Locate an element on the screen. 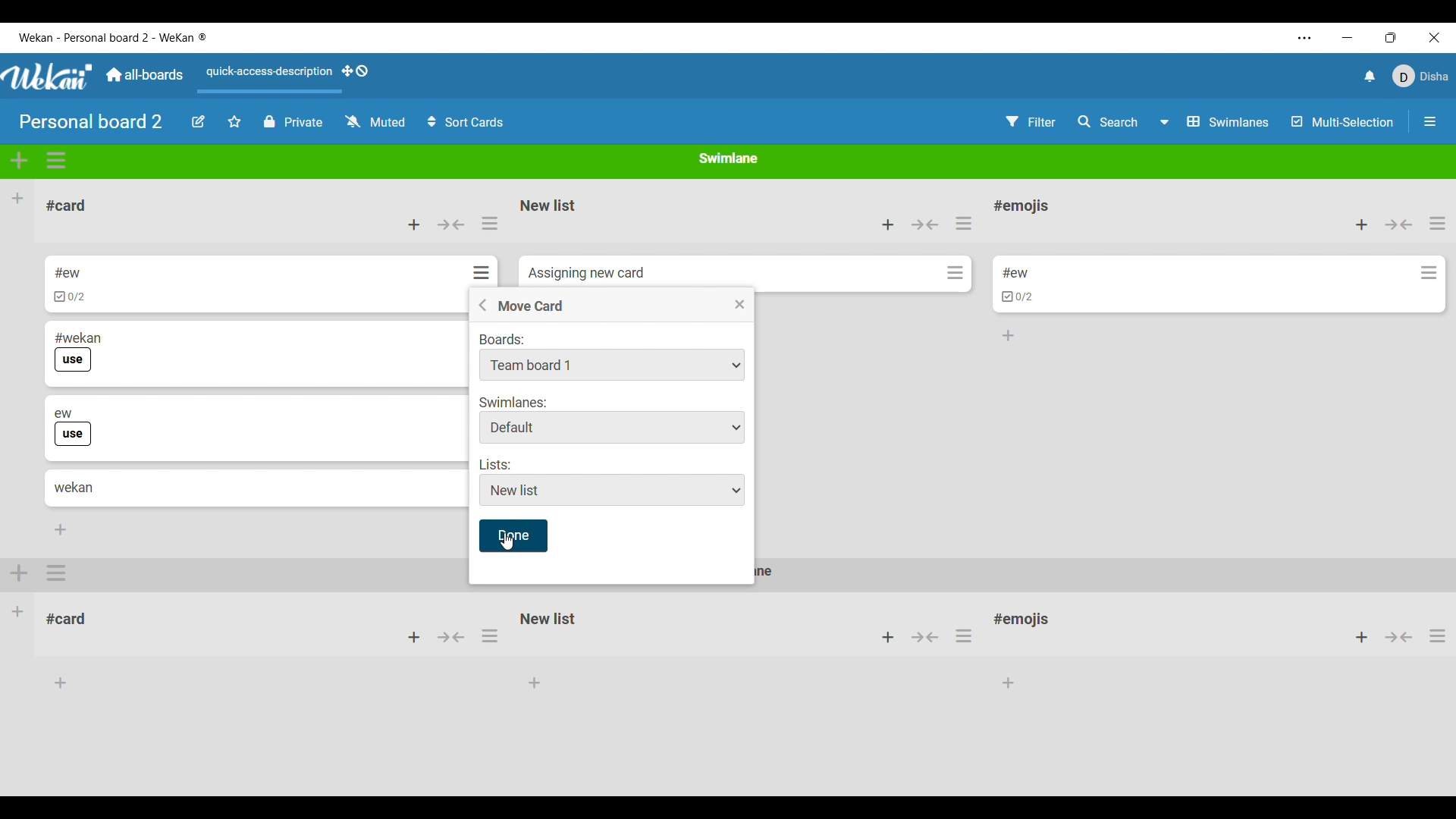 The height and width of the screenshot is (819, 1456). Current swimlane is located at coordinates (729, 158).